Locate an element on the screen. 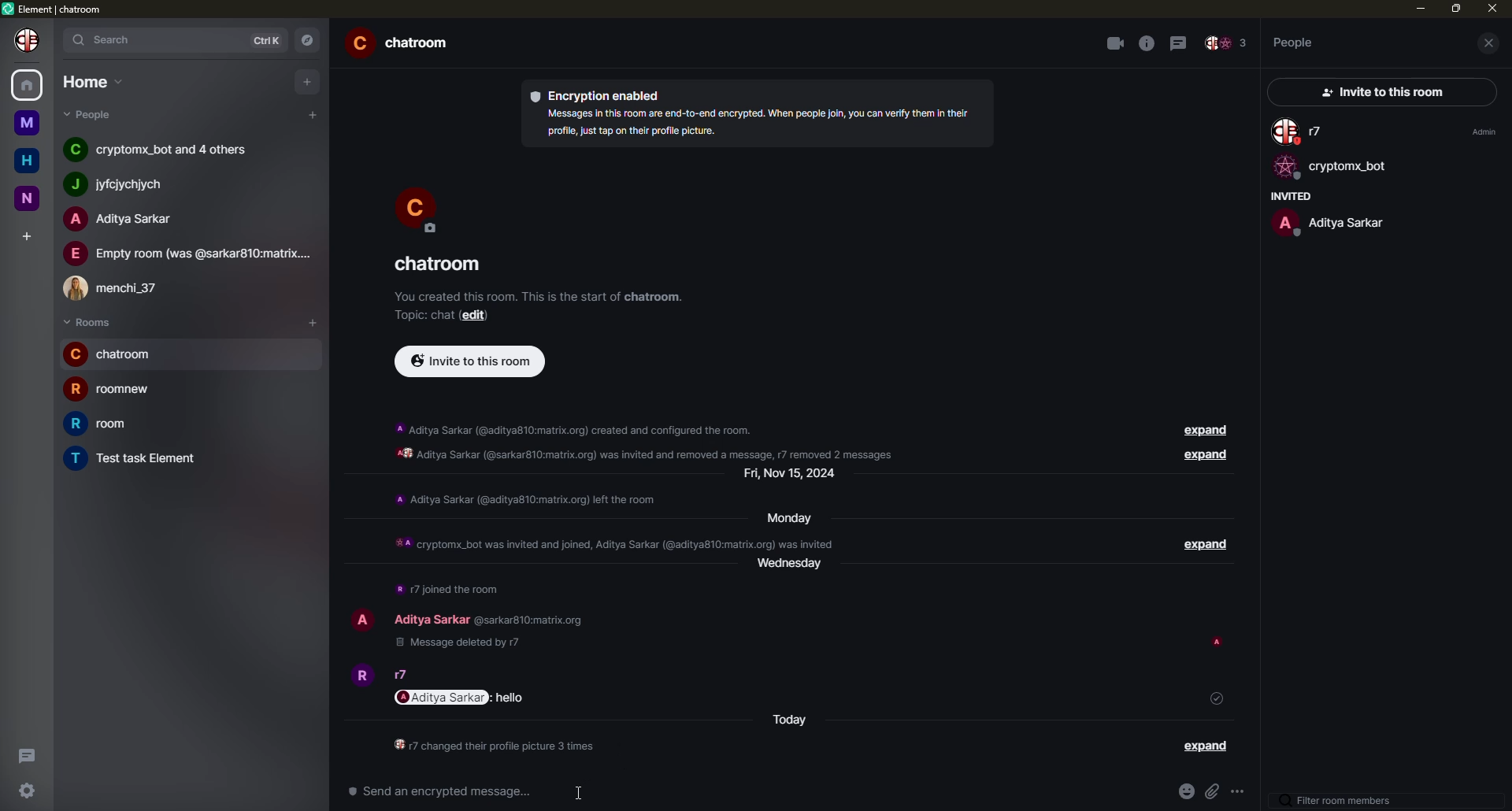  navigator is located at coordinates (312, 40).